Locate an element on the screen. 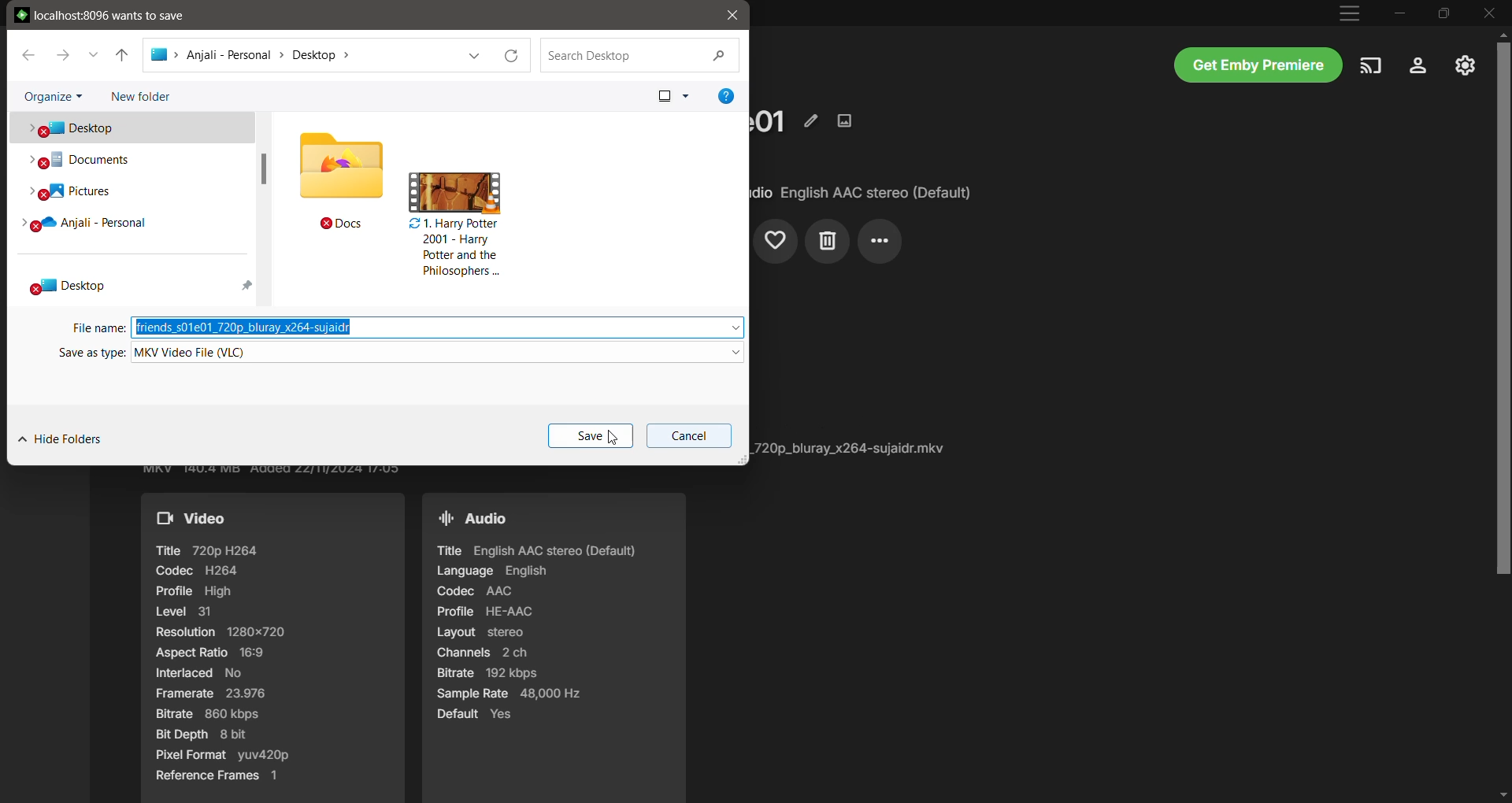 Image resolution: width=1512 pixels, height=803 pixels. Help is located at coordinates (727, 96).